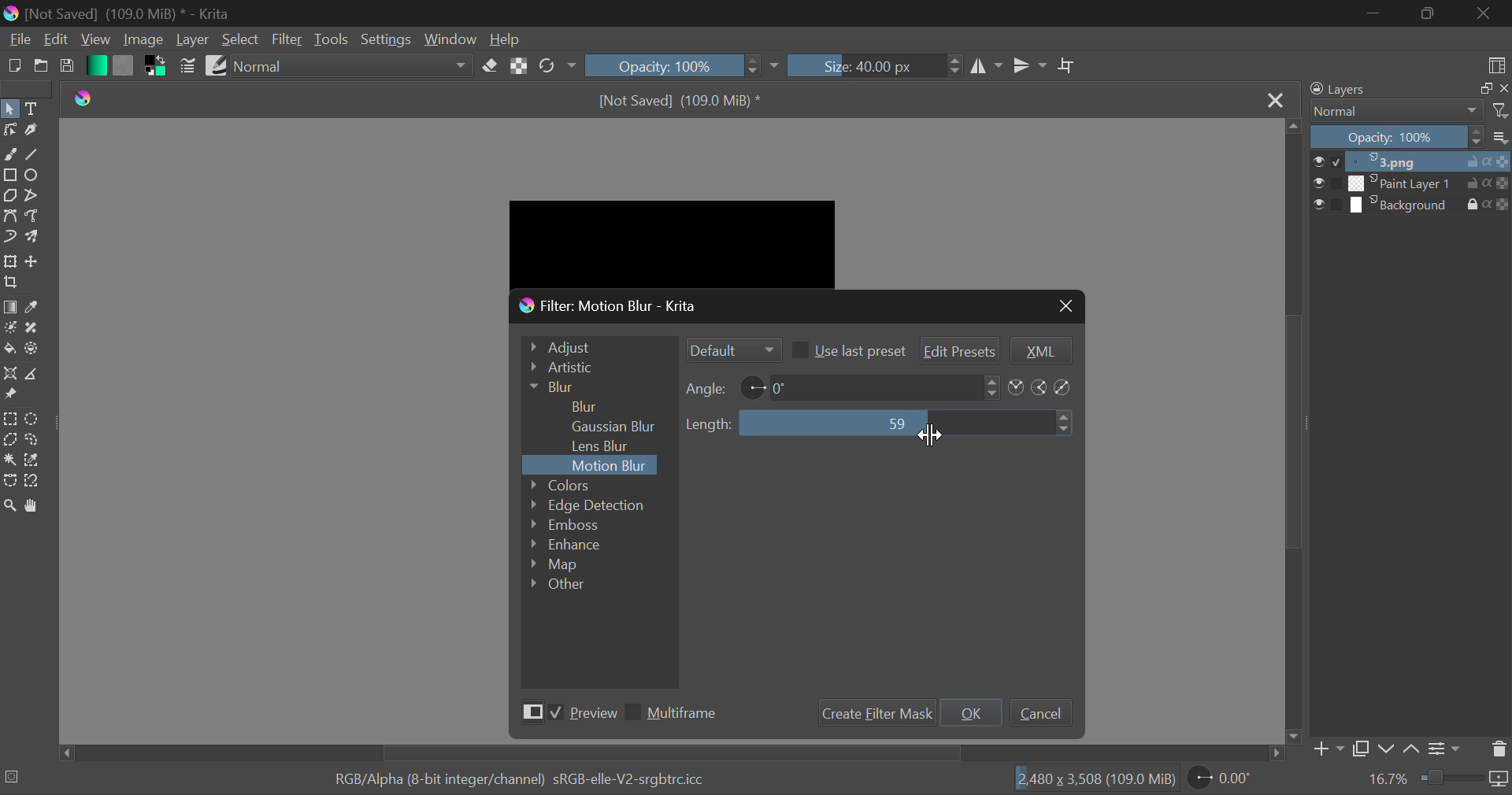 This screenshot has height=795, width=1512. What do you see at coordinates (18, 42) in the screenshot?
I see `File` at bounding box center [18, 42].